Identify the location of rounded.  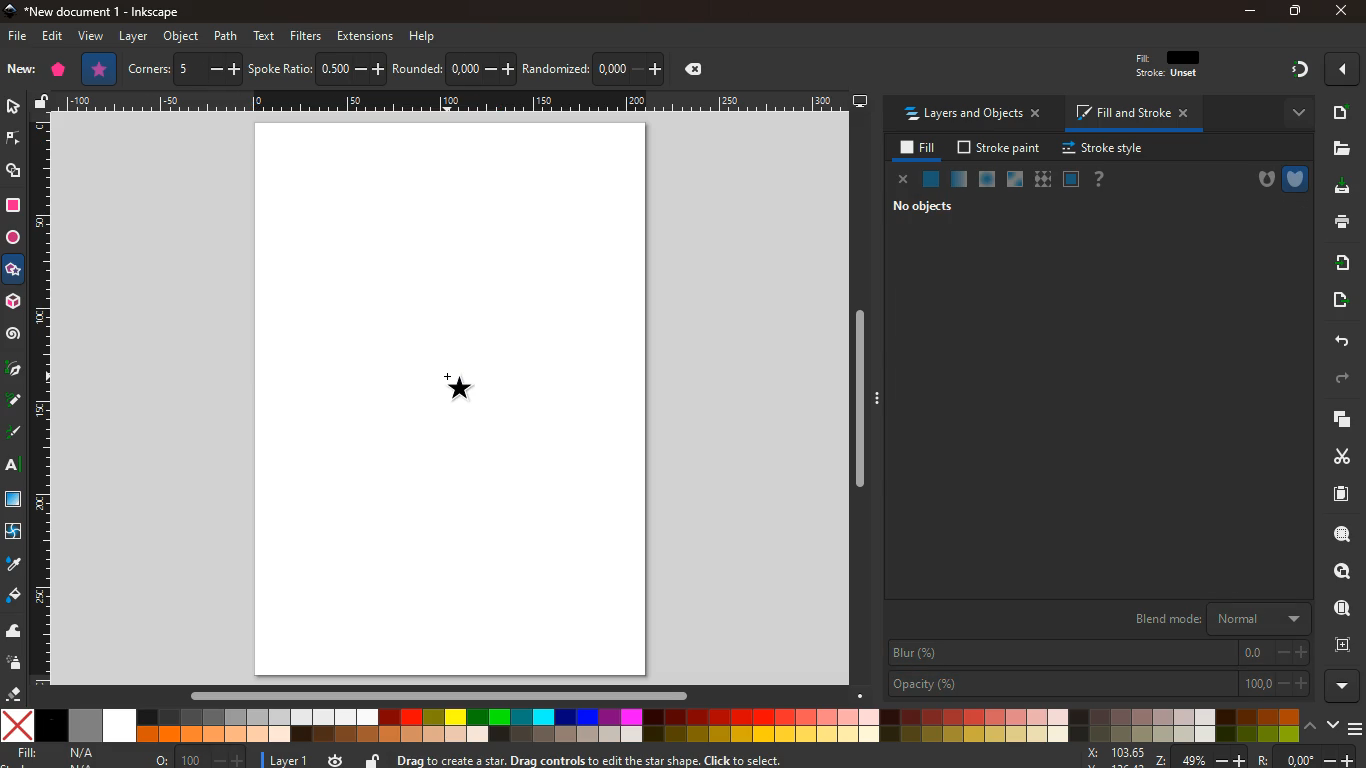
(454, 66).